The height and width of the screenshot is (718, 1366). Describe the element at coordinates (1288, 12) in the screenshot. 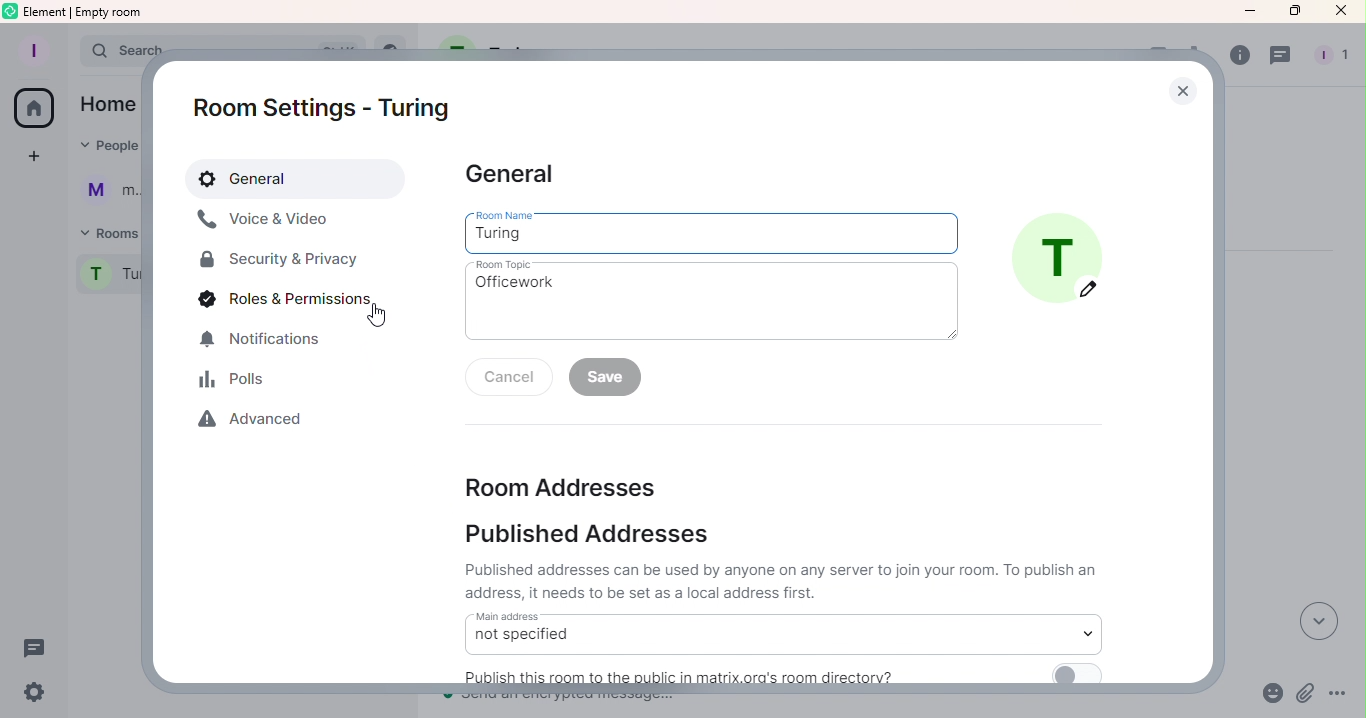

I see `Maximize` at that location.